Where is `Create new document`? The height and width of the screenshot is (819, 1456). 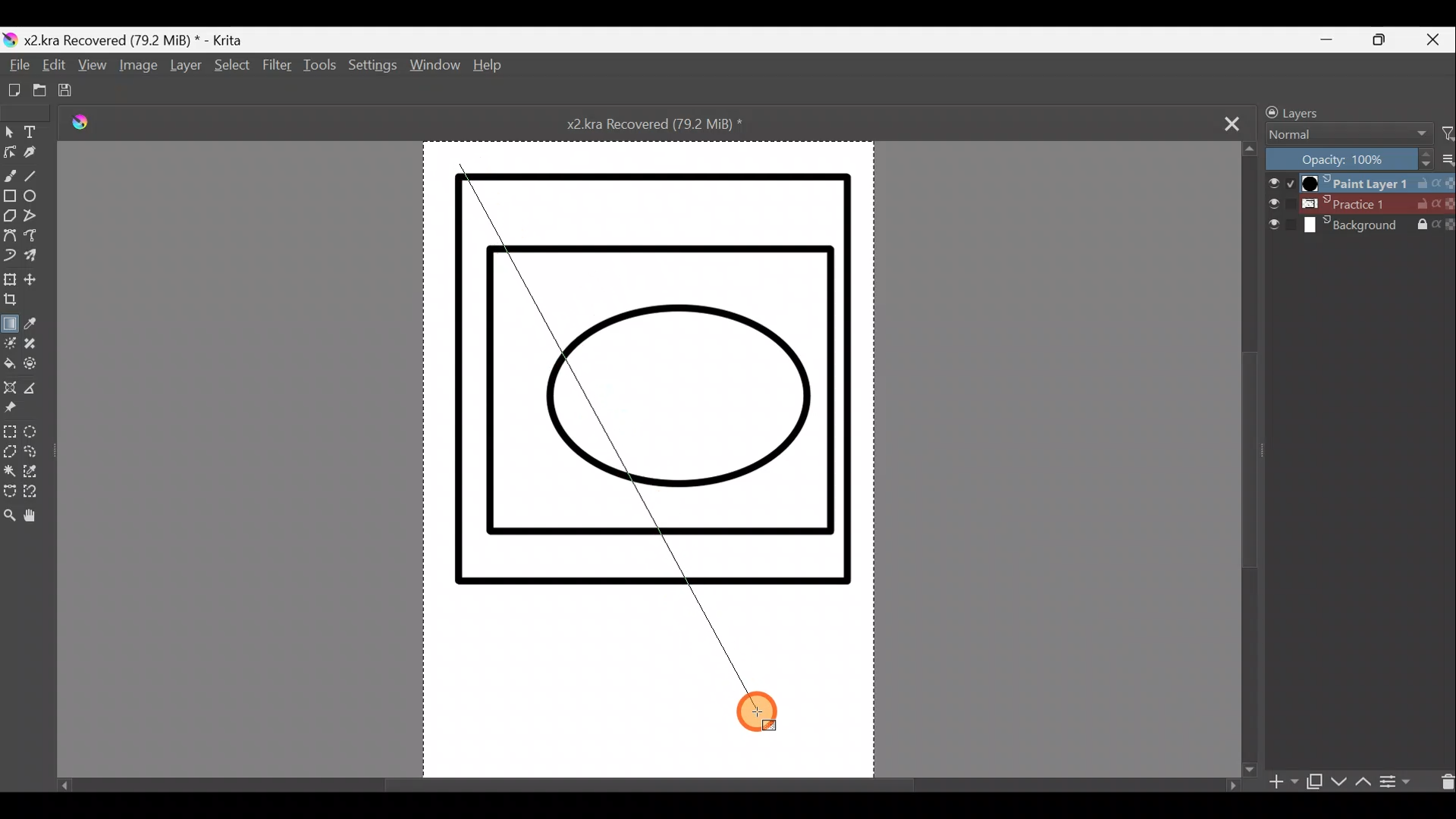
Create new document is located at coordinates (10, 90).